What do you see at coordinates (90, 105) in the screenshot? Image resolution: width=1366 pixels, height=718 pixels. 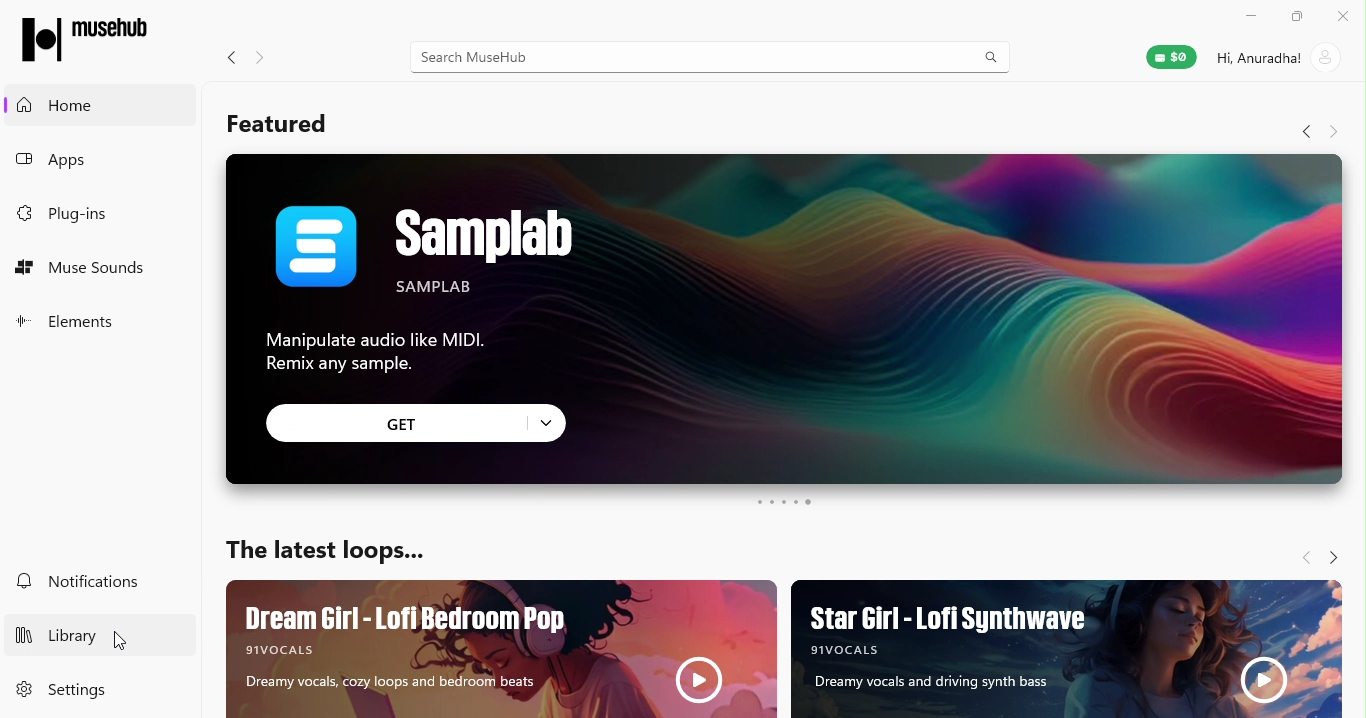 I see `Home` at bounding box center [90, 105].